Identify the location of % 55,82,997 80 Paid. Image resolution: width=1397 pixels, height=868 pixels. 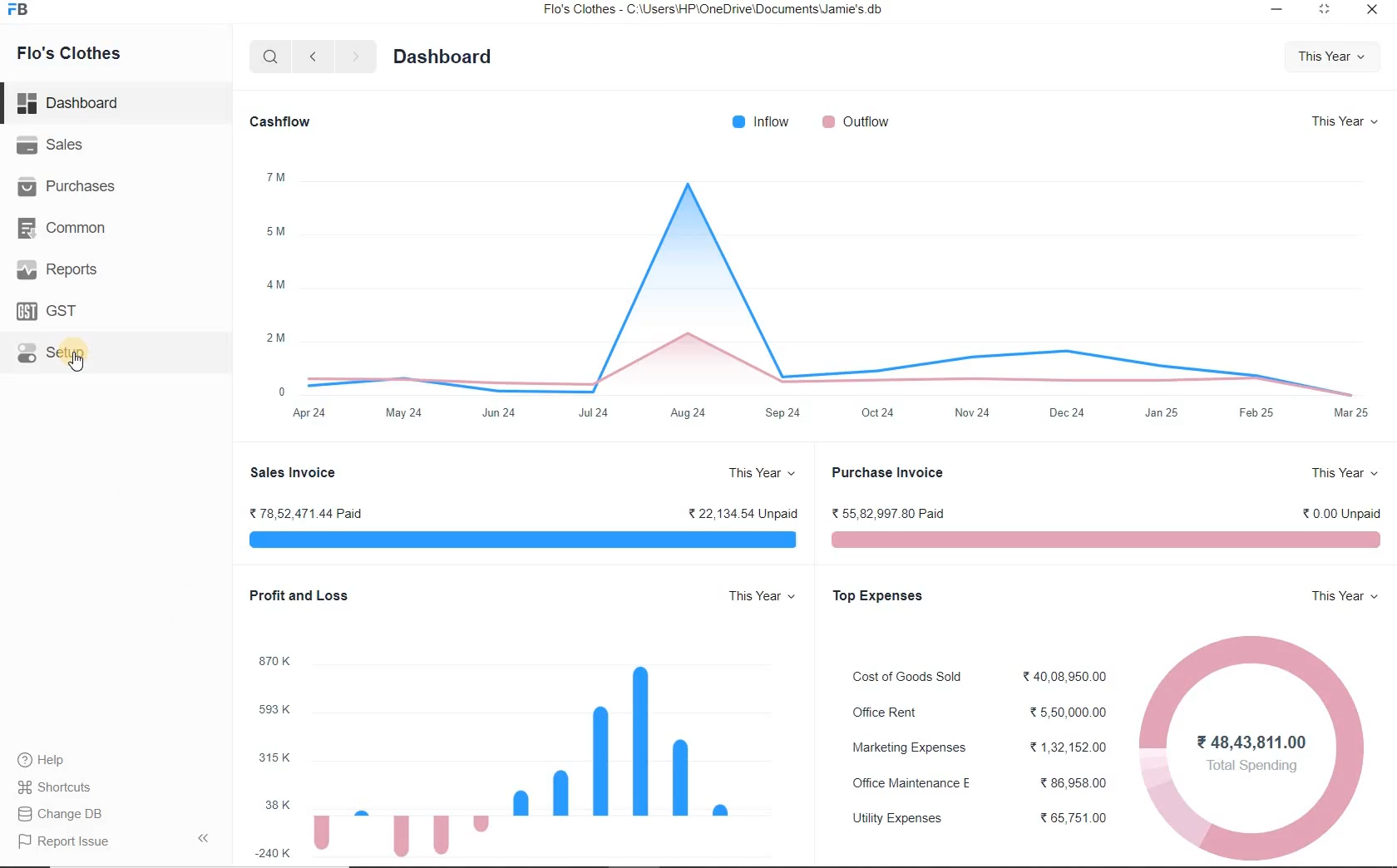
(888, 514).